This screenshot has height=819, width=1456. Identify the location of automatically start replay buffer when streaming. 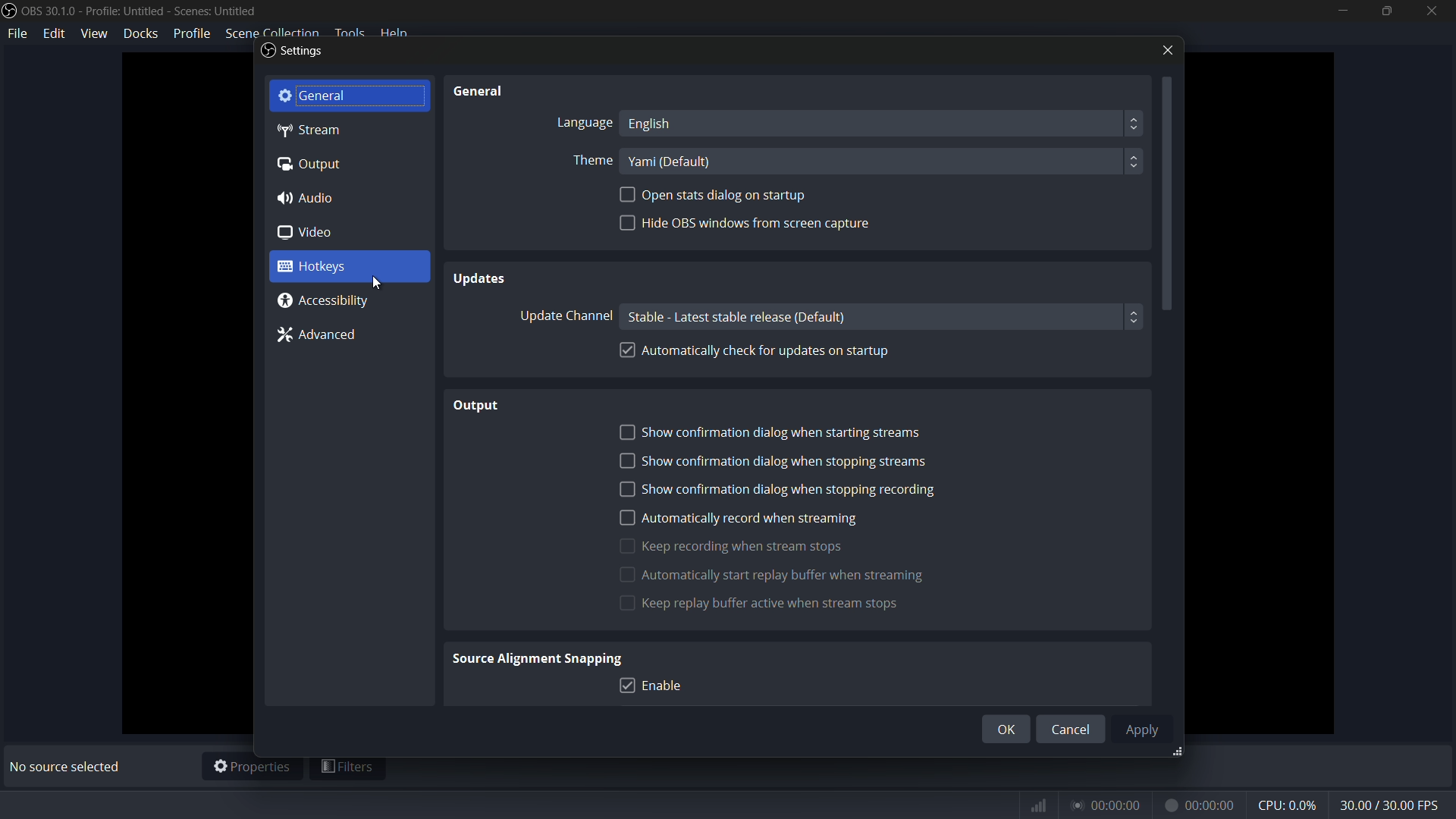
(770, 575).